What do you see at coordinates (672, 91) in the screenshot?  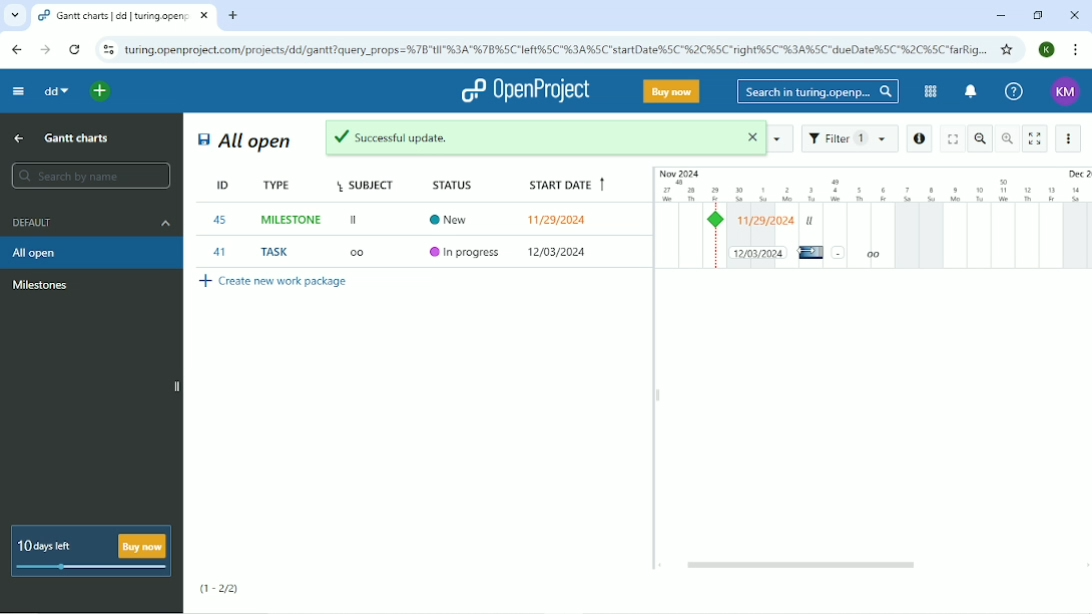 I see `Buy now` at bounding box center [672, 91].